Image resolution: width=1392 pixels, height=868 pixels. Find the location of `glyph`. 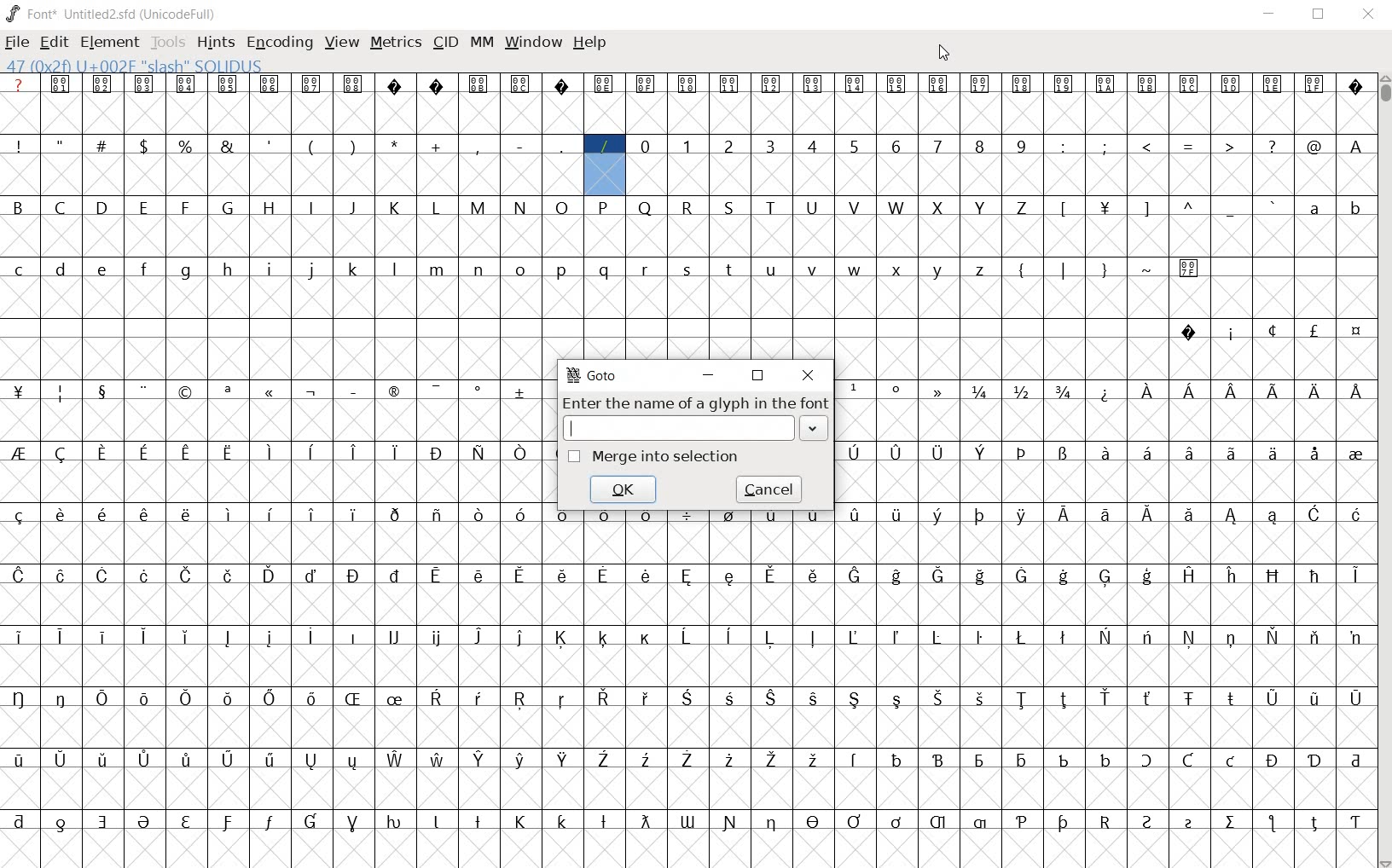

glyph is located at coordinates (354, 452).